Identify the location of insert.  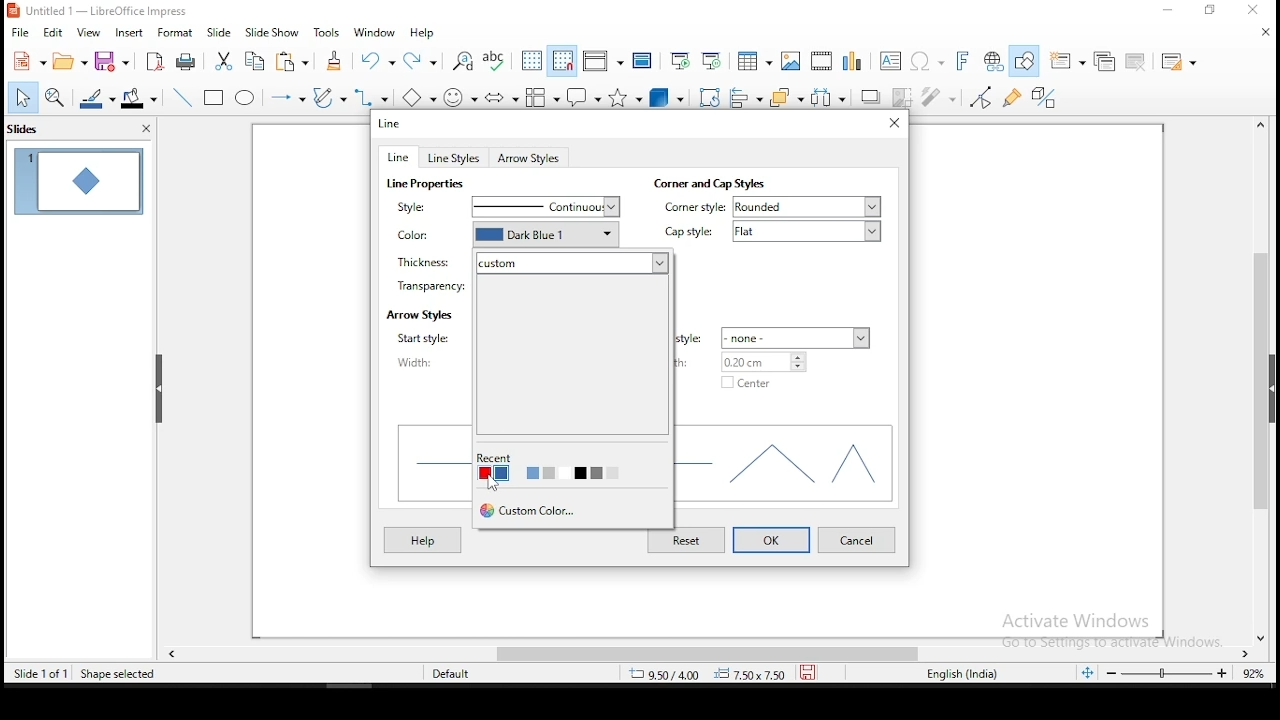
(128, 32).